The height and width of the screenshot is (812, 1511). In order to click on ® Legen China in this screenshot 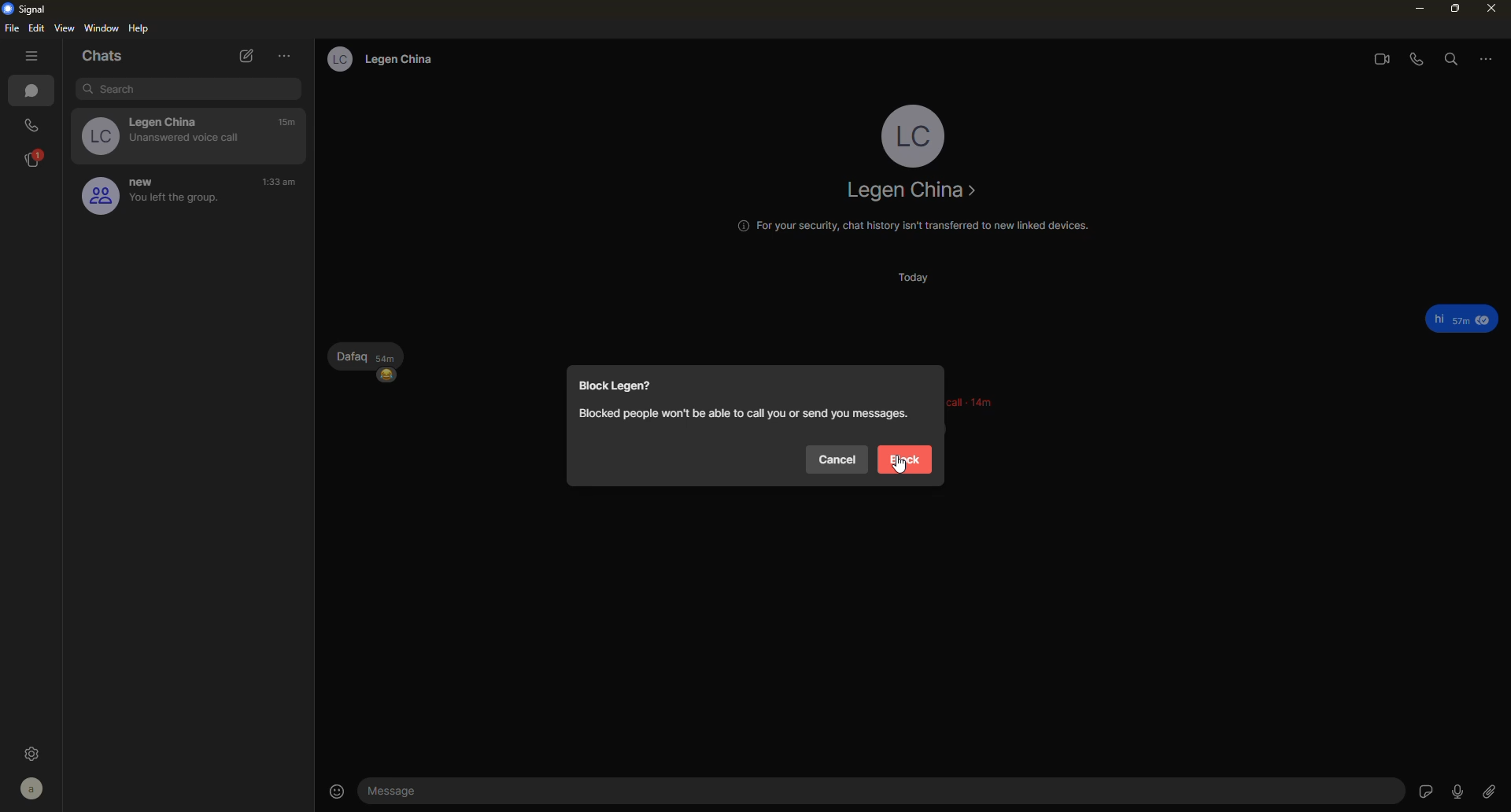, I will do `click(375, 59)`.